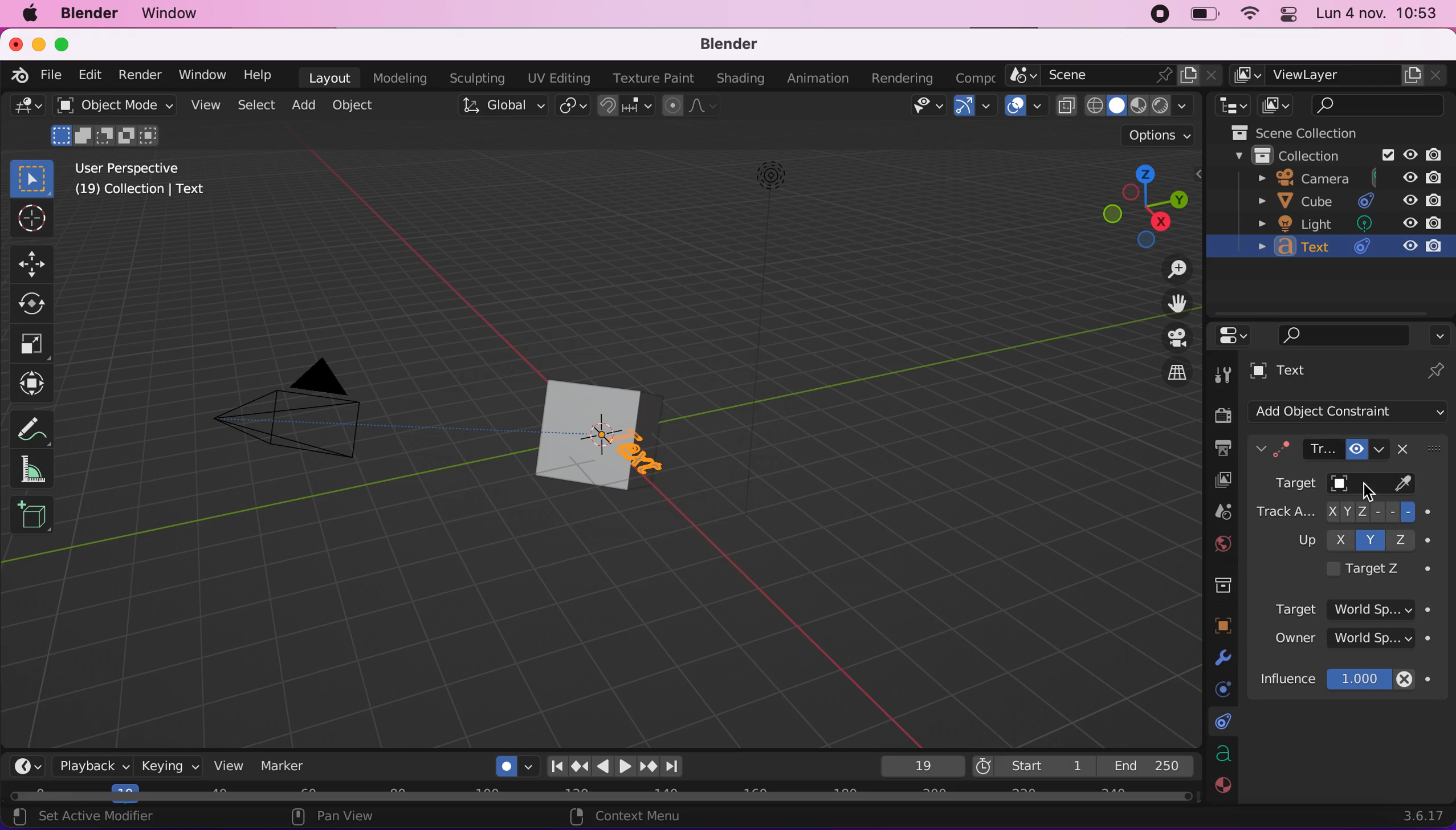 The height and width of the screenshot is (830, 1456). What do you see at coordinates (116, 124) in the screenshot?
I see `object mode` at bounding box center [116, 124].